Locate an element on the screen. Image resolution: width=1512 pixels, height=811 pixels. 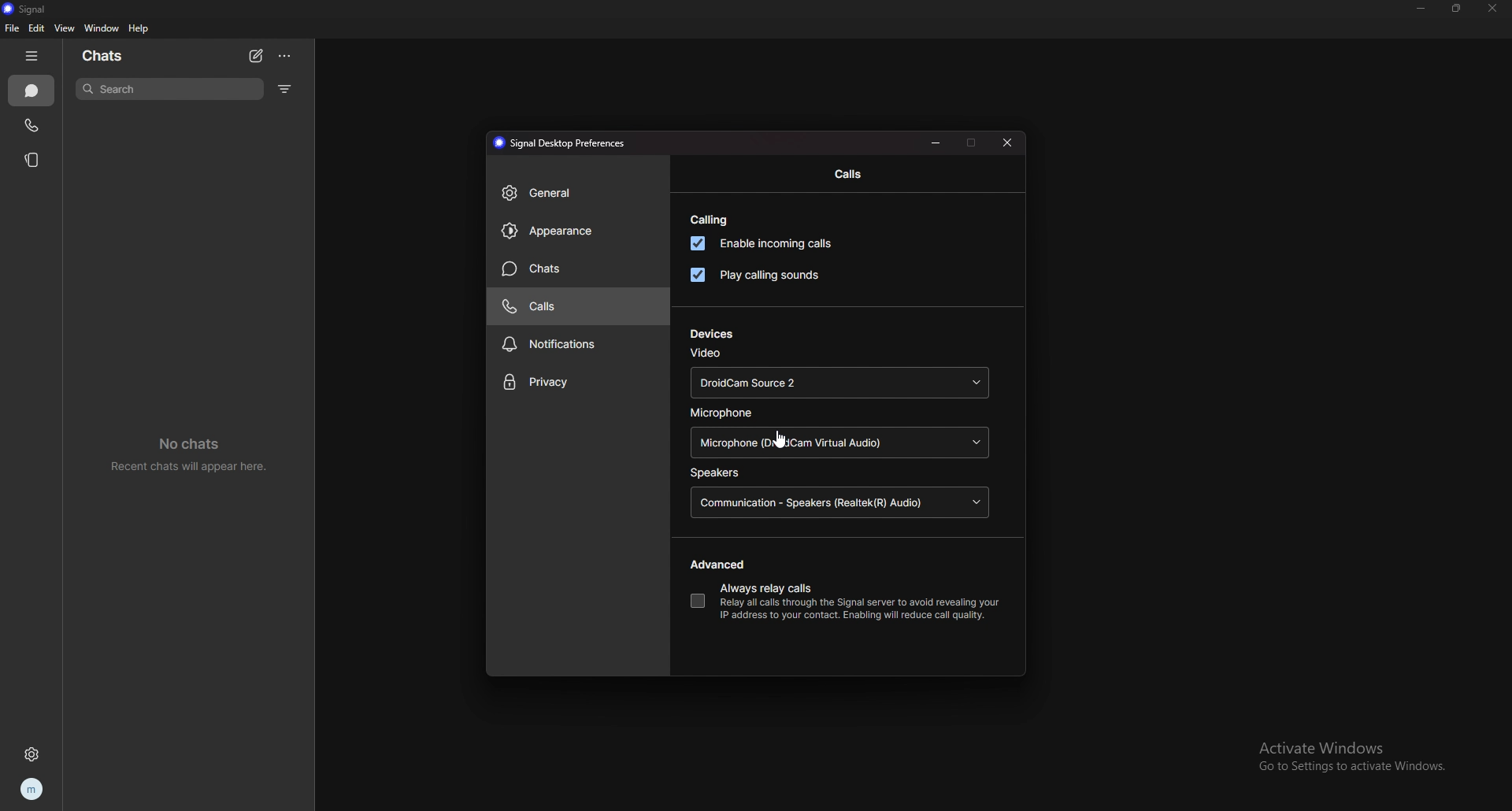
stories is located at coordinates (32, 159).